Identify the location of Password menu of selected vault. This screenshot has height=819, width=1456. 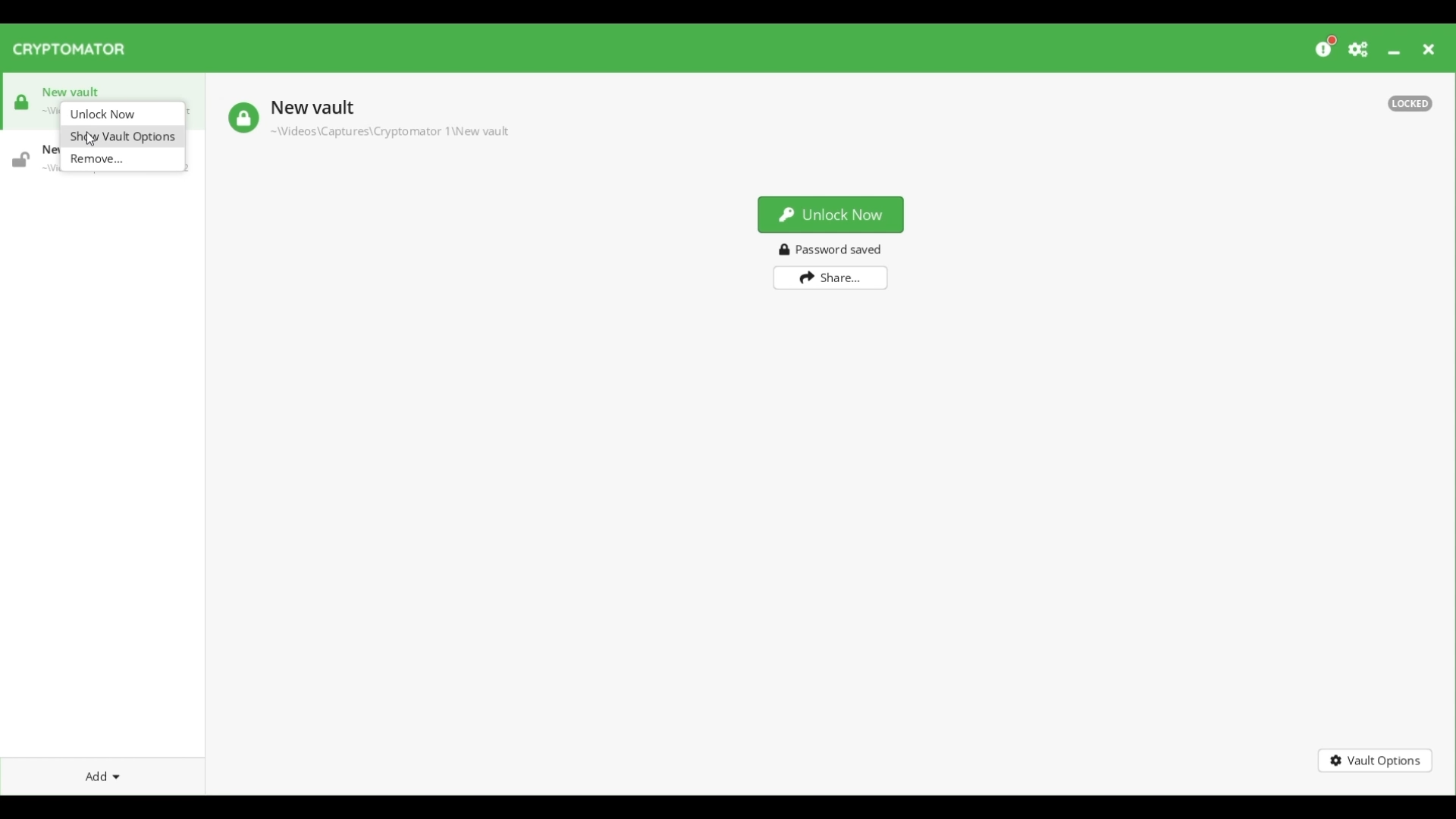
(834, 249).